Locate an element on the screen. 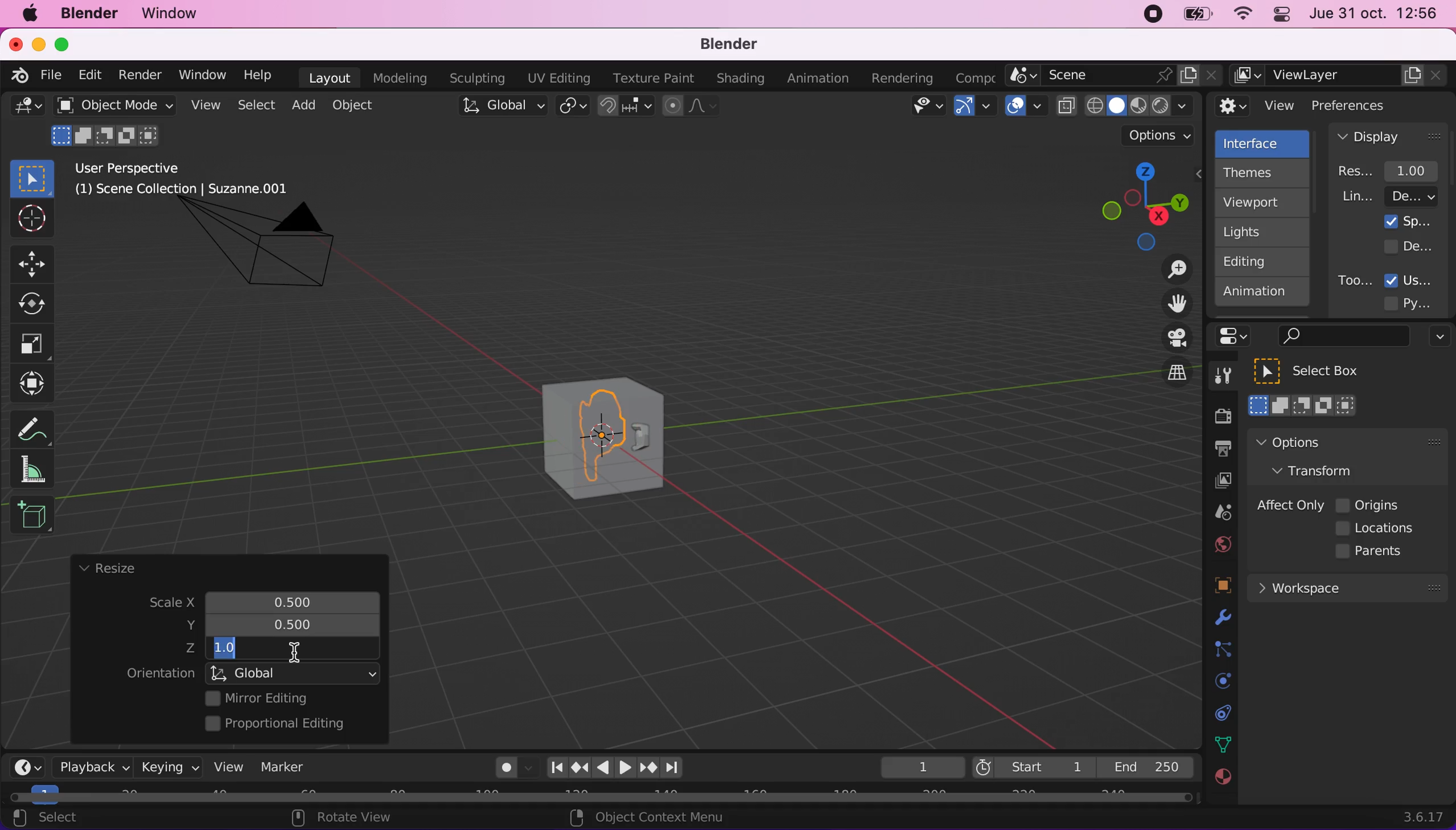 The width and height of the screenshot is (1456, 830). edit is located at coordinates (87, 75).